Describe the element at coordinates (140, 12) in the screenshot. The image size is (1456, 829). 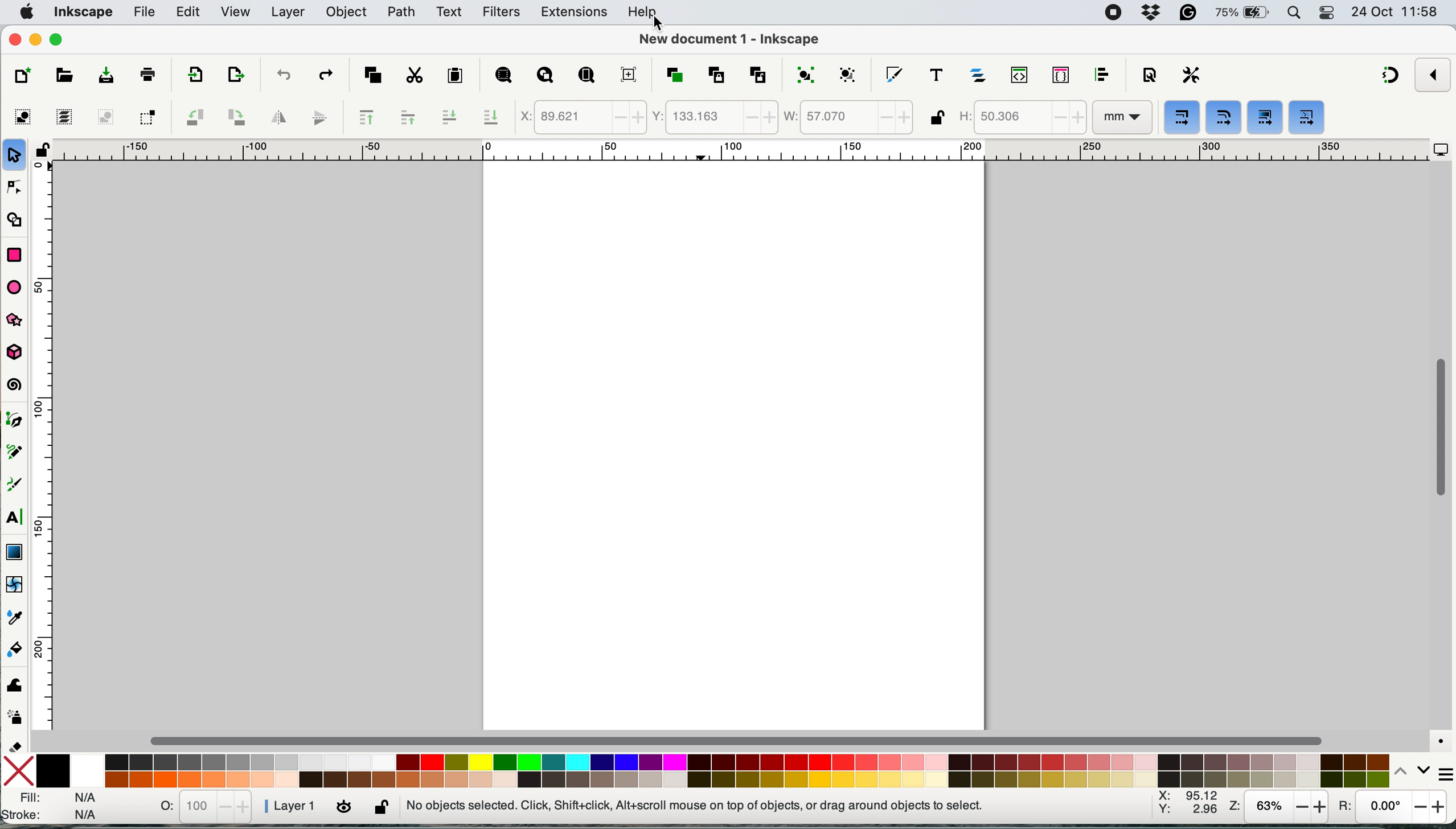
I see `file` at that location.